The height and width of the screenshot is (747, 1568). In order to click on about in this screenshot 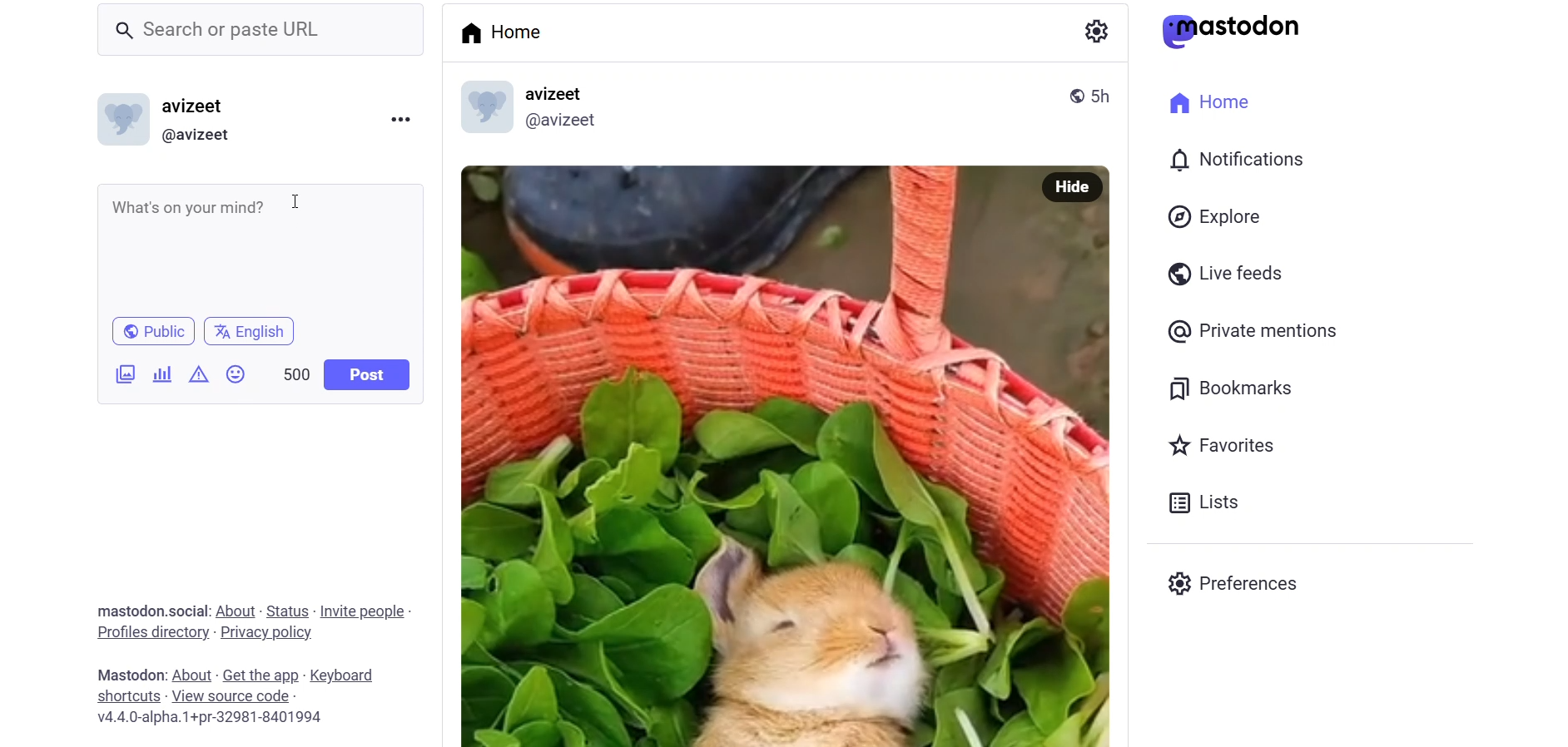, I will do `click(192, 675)`.